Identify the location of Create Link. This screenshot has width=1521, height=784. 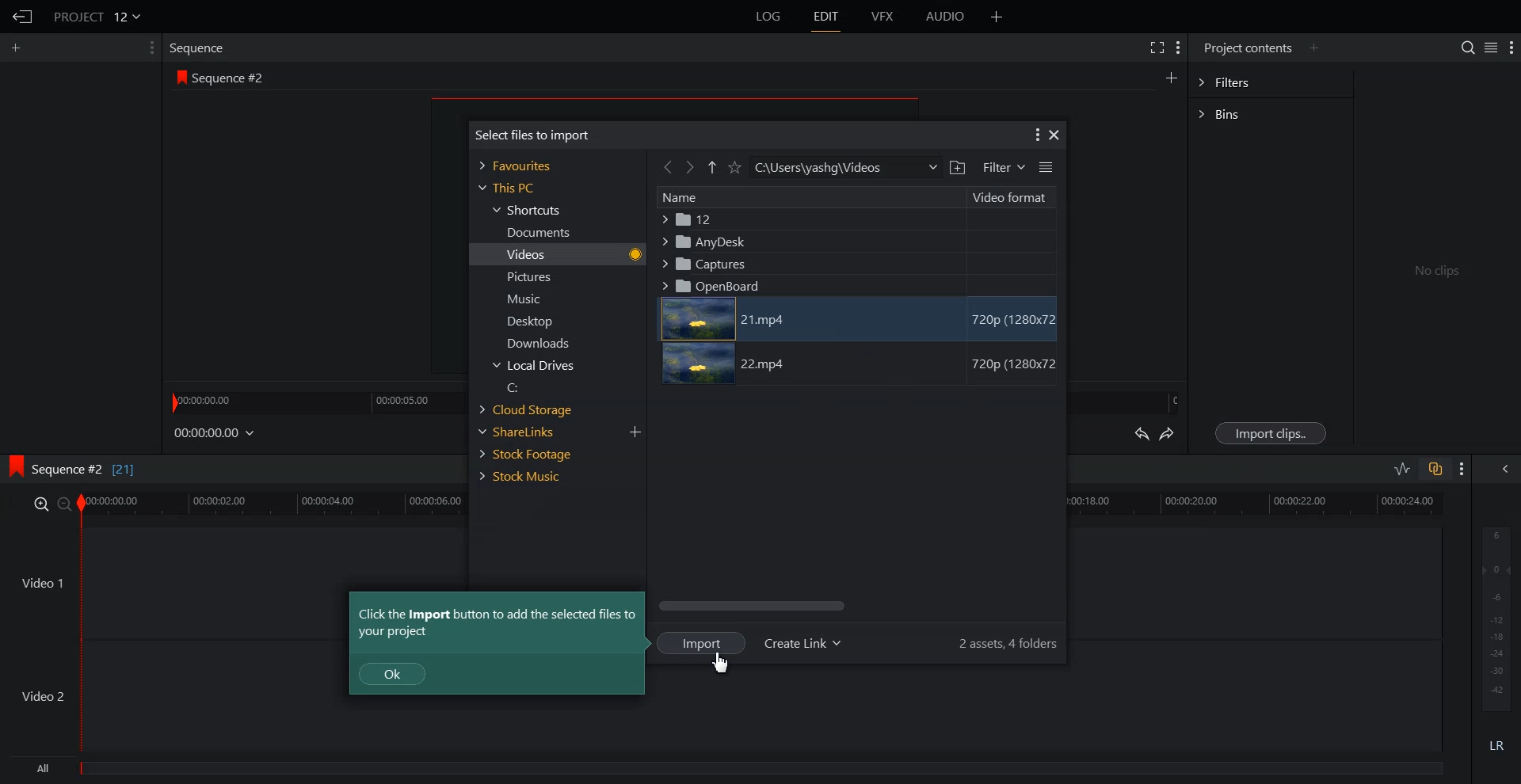
(803, 644).